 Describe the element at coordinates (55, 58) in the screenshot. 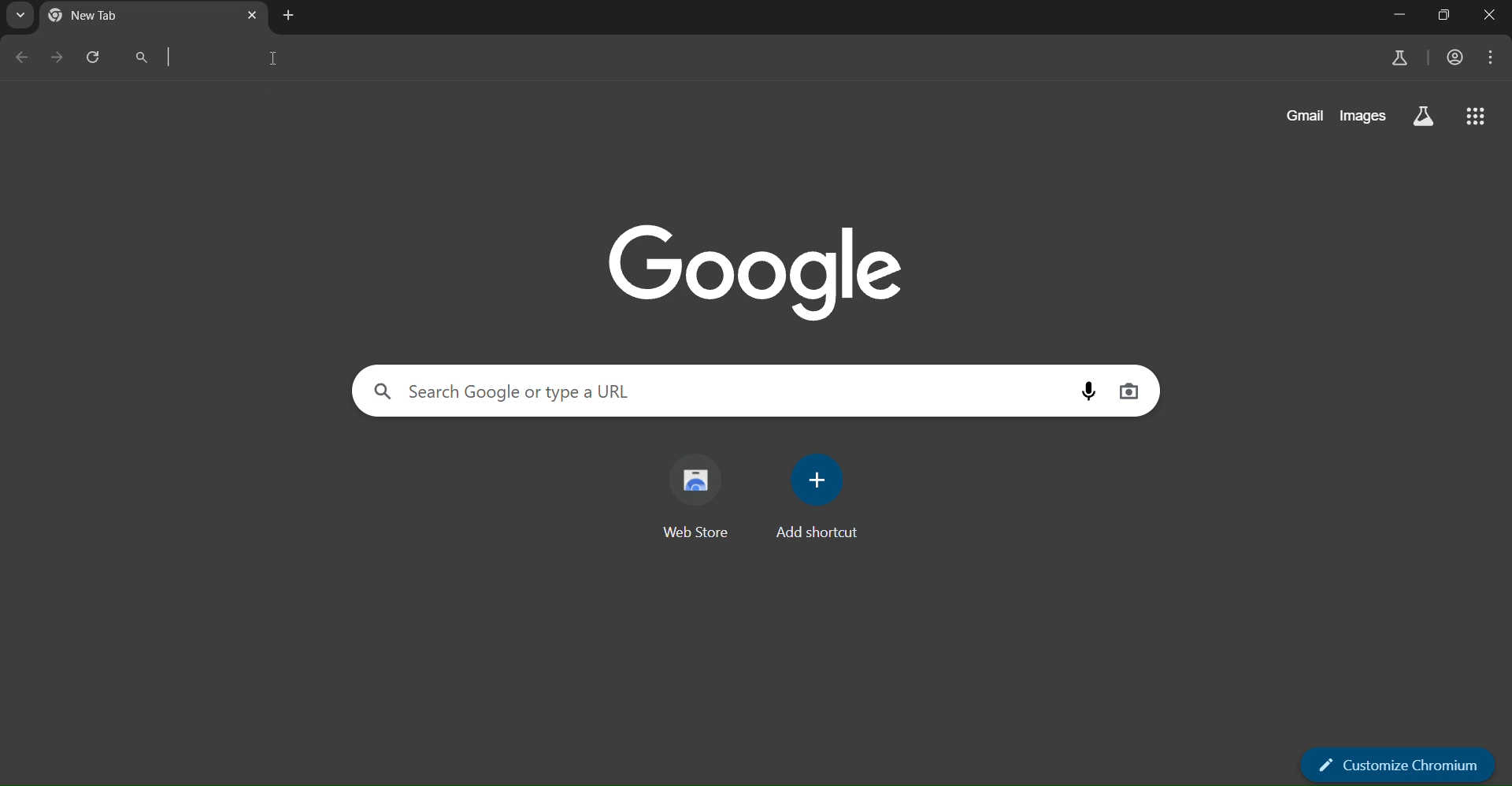

I see `go forward one page` at that location.